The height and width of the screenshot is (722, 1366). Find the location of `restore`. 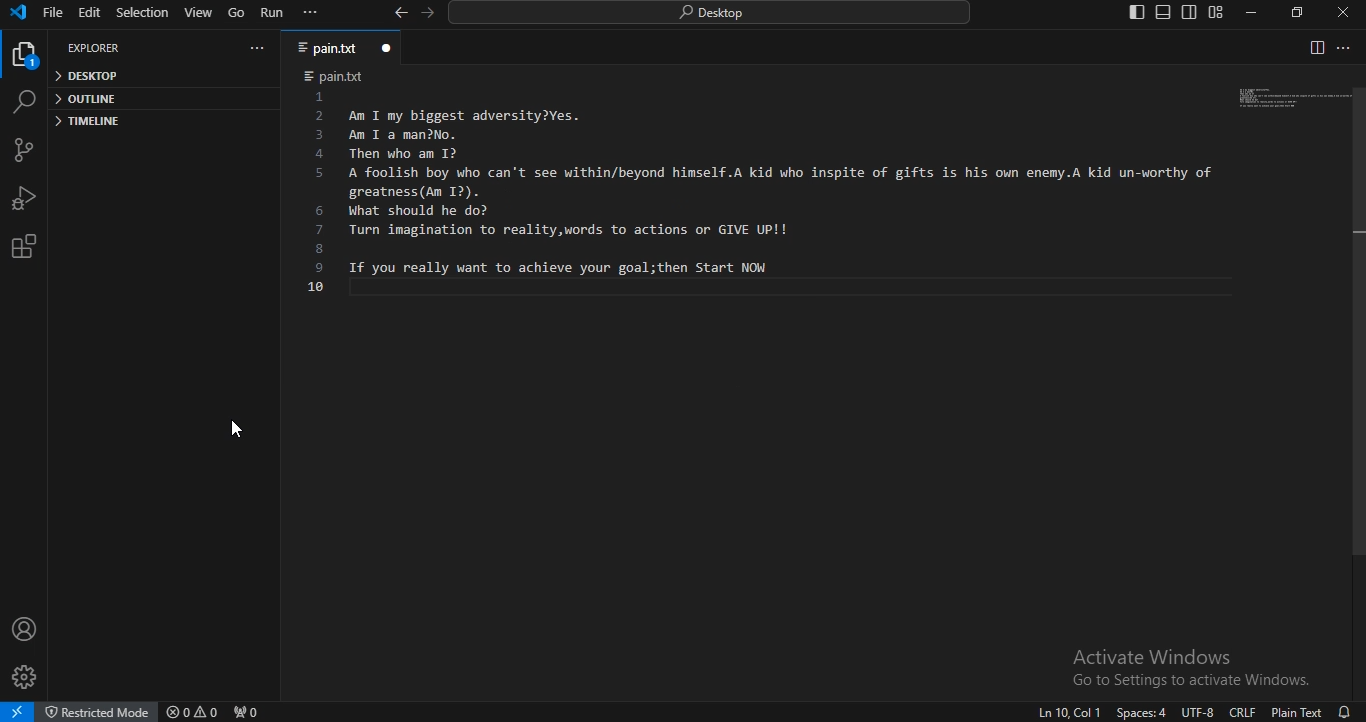

restore is located at coordinates (1301, 11).